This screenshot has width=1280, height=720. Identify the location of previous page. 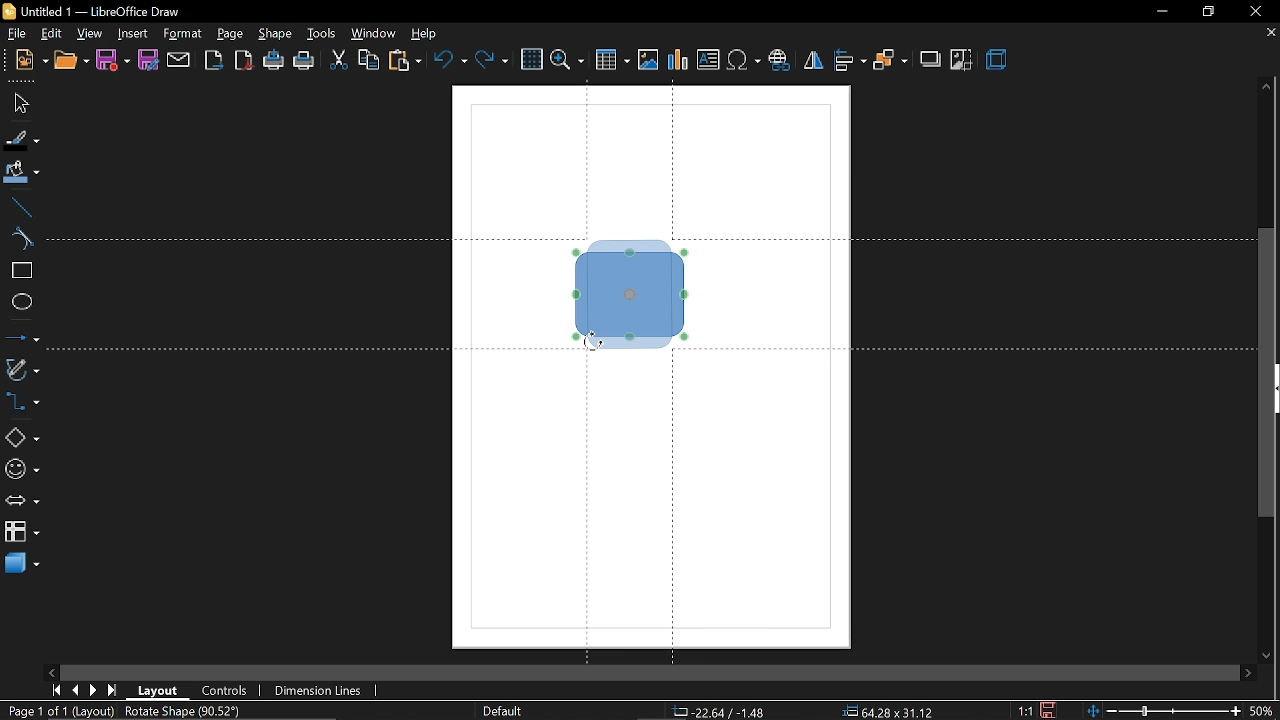
(73, 691).